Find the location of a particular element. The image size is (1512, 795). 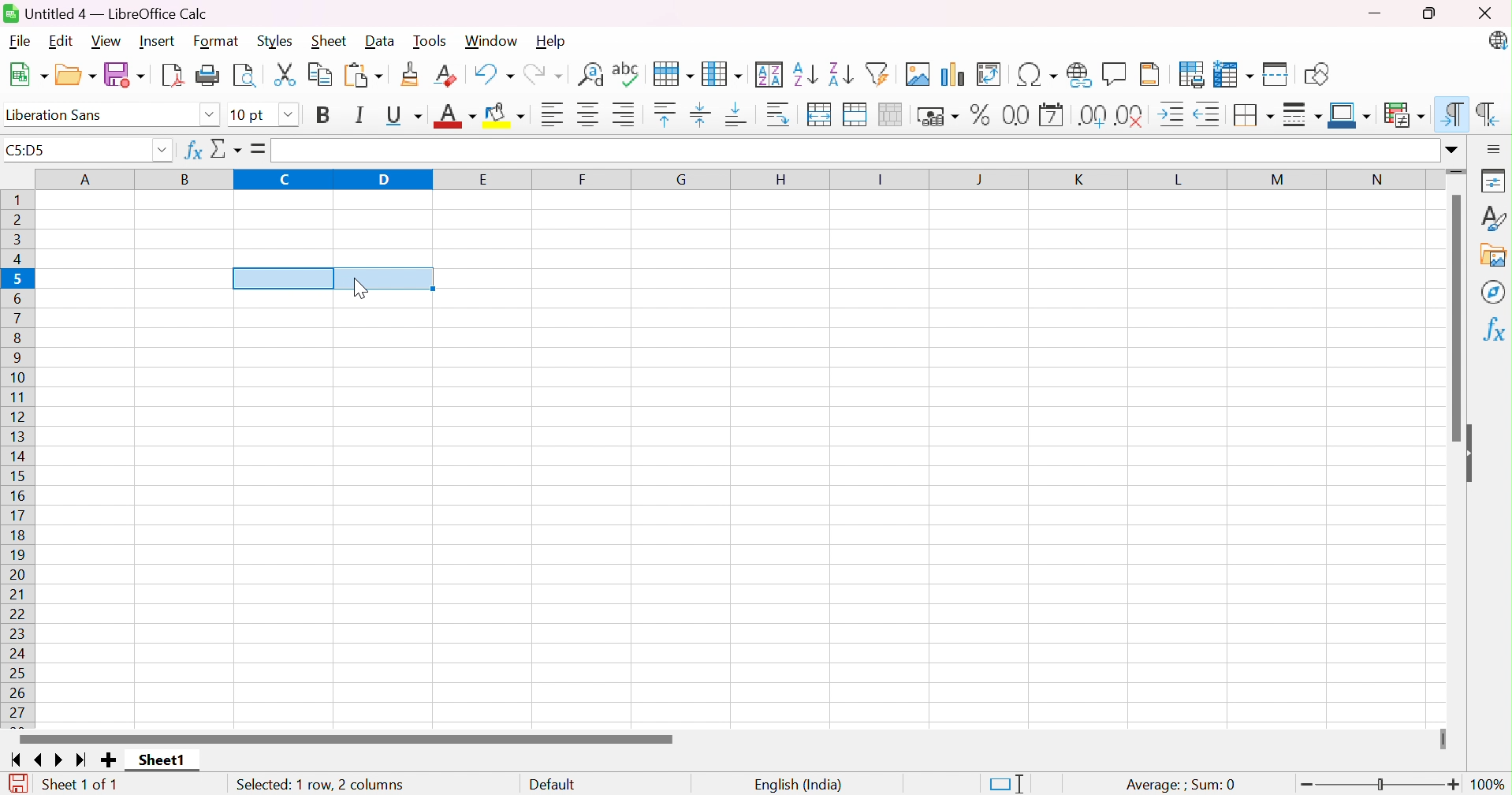

Liberation Sans is located at coordinates (58, 114).